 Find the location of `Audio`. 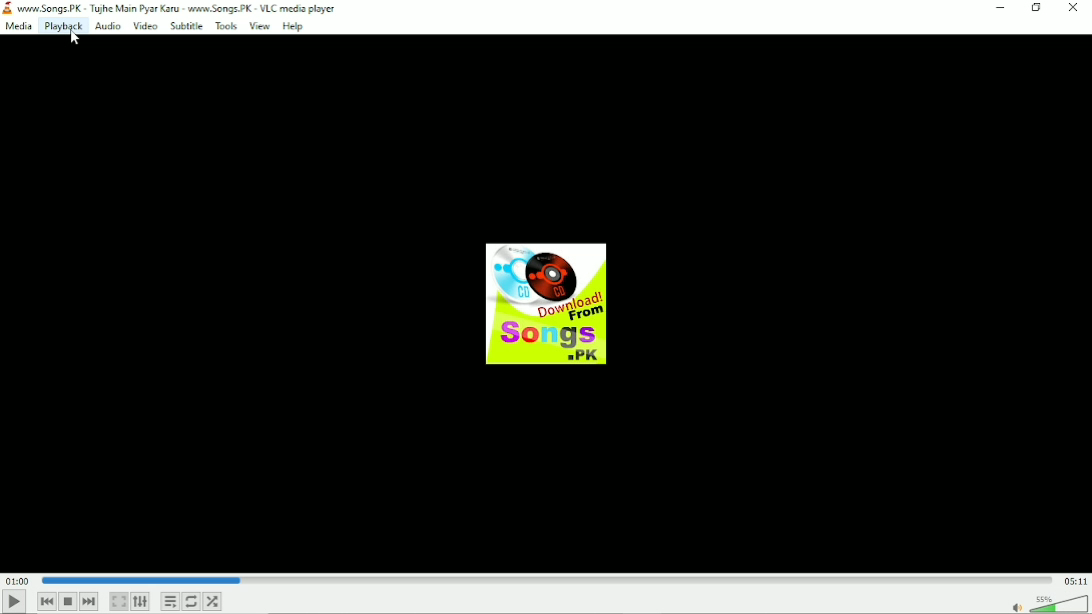

Audio is located at coordinates (107, 25).